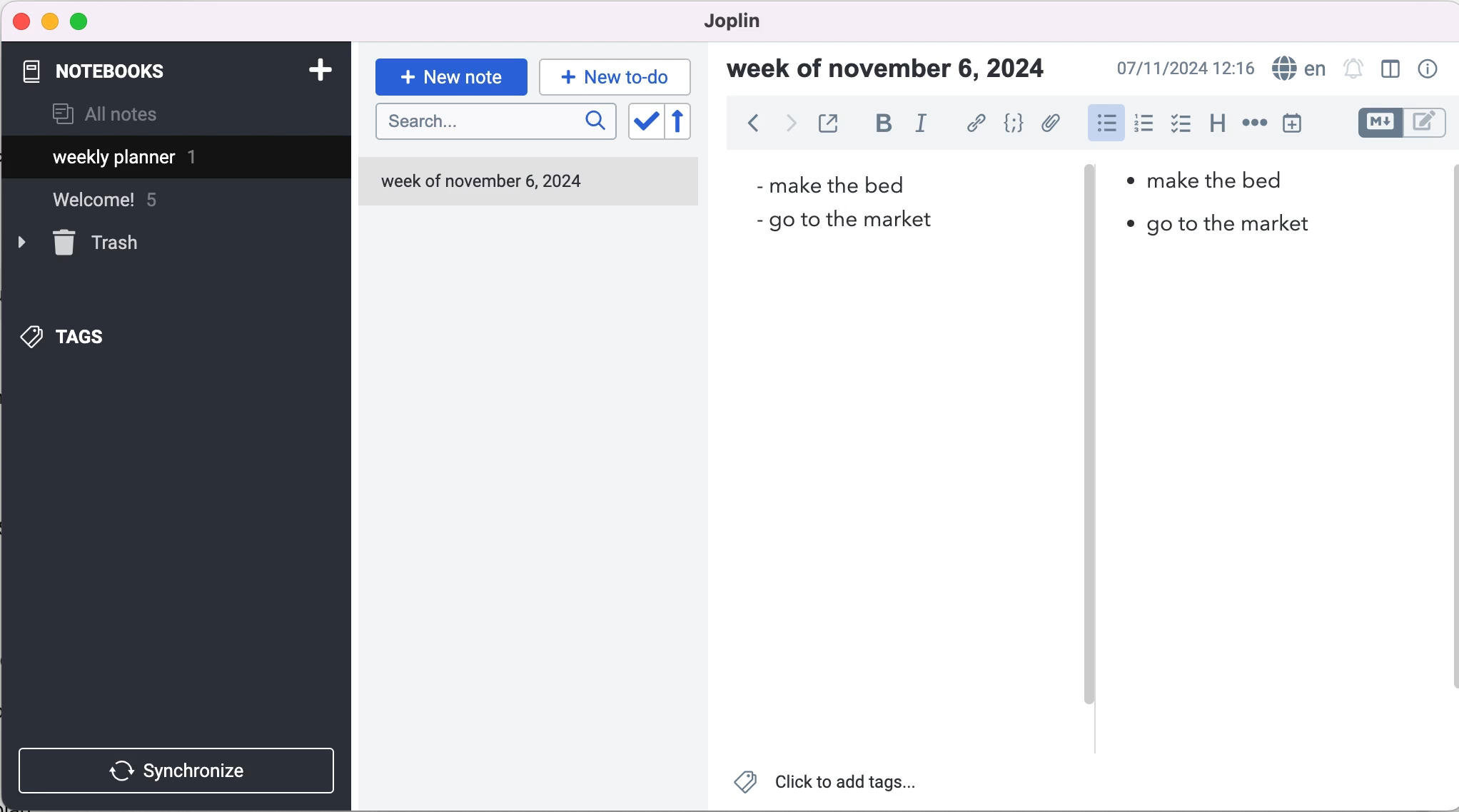 The width and height of the screenshot is (1459, 812). Describe the element at coordinates (1295, 123) in the screenshot. I see `insert time` at that location.